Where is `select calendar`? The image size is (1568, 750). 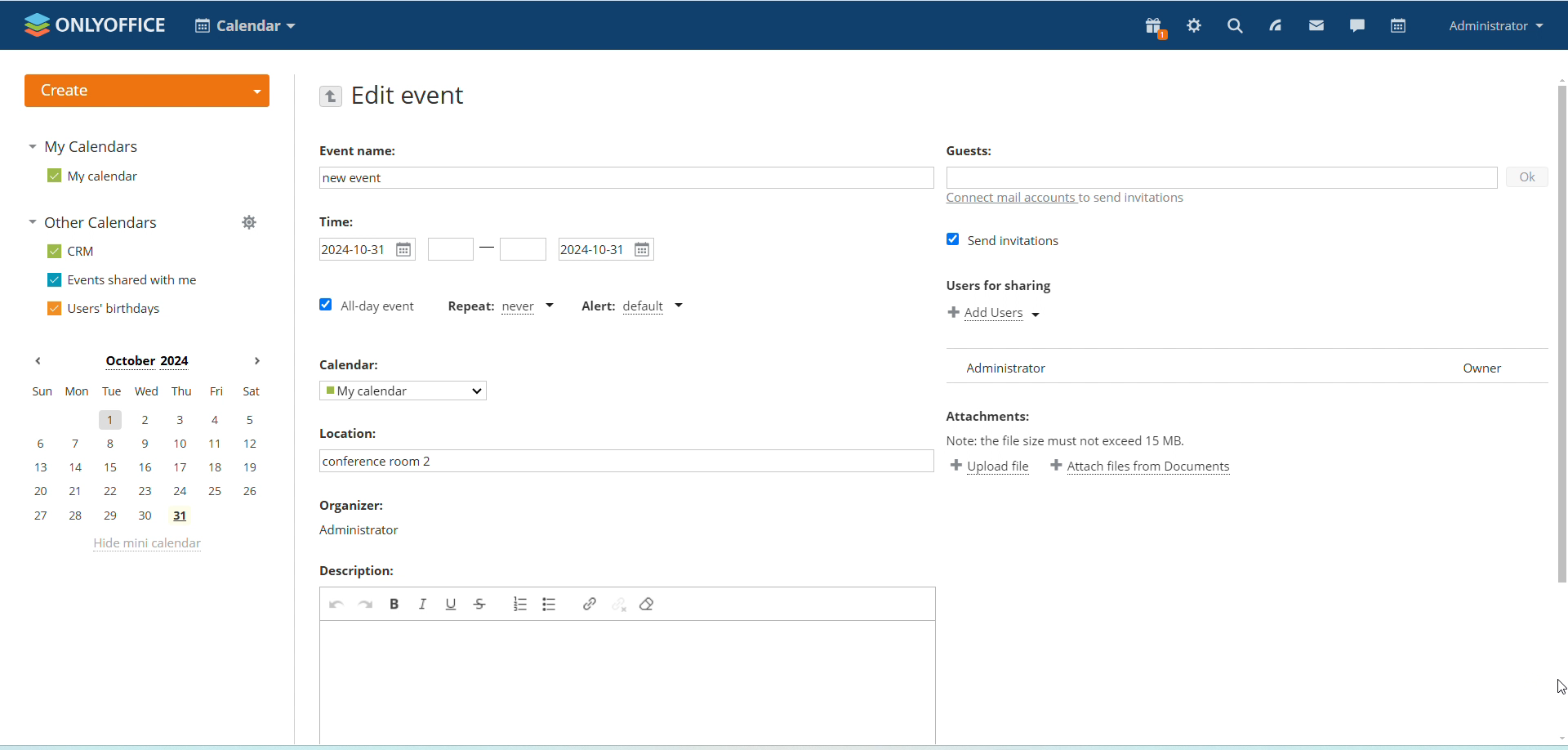 select calendar is located at coordinates (402, 391).